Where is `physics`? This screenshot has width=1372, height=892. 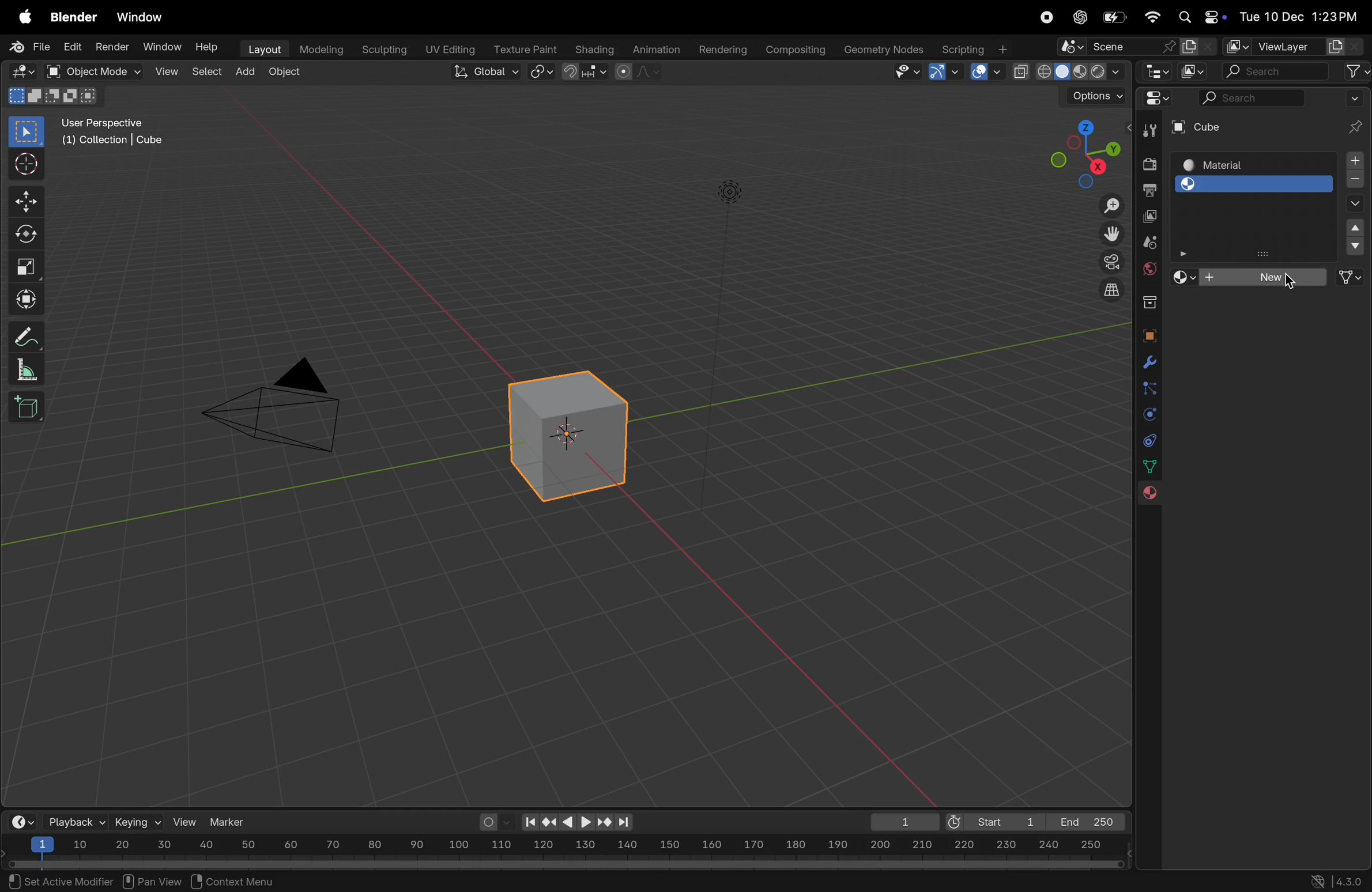 physics is located at coordinates (1148, 415).